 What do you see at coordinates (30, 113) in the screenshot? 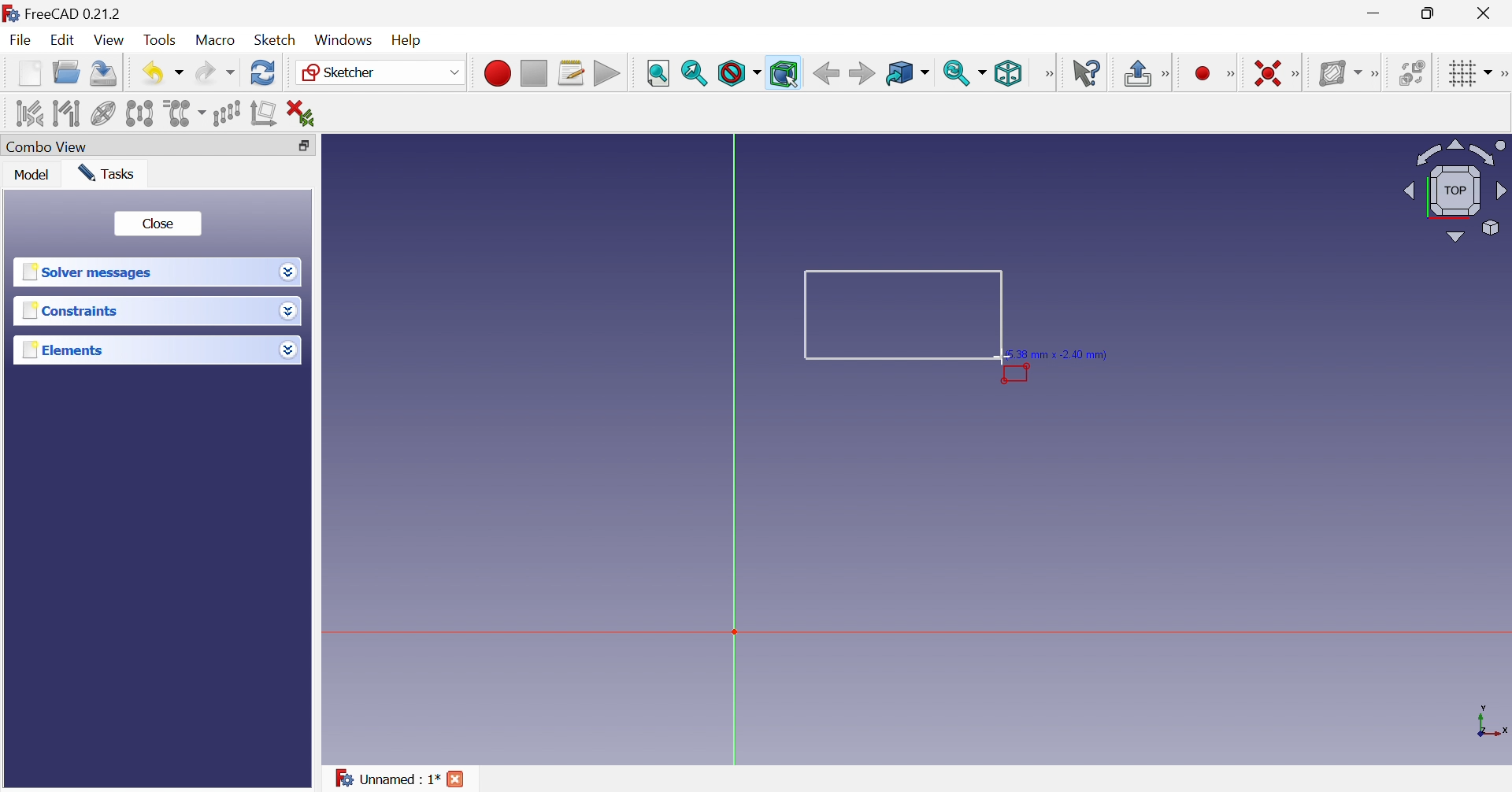
I see `Select associated constraints` at bounding box center [30, 113].